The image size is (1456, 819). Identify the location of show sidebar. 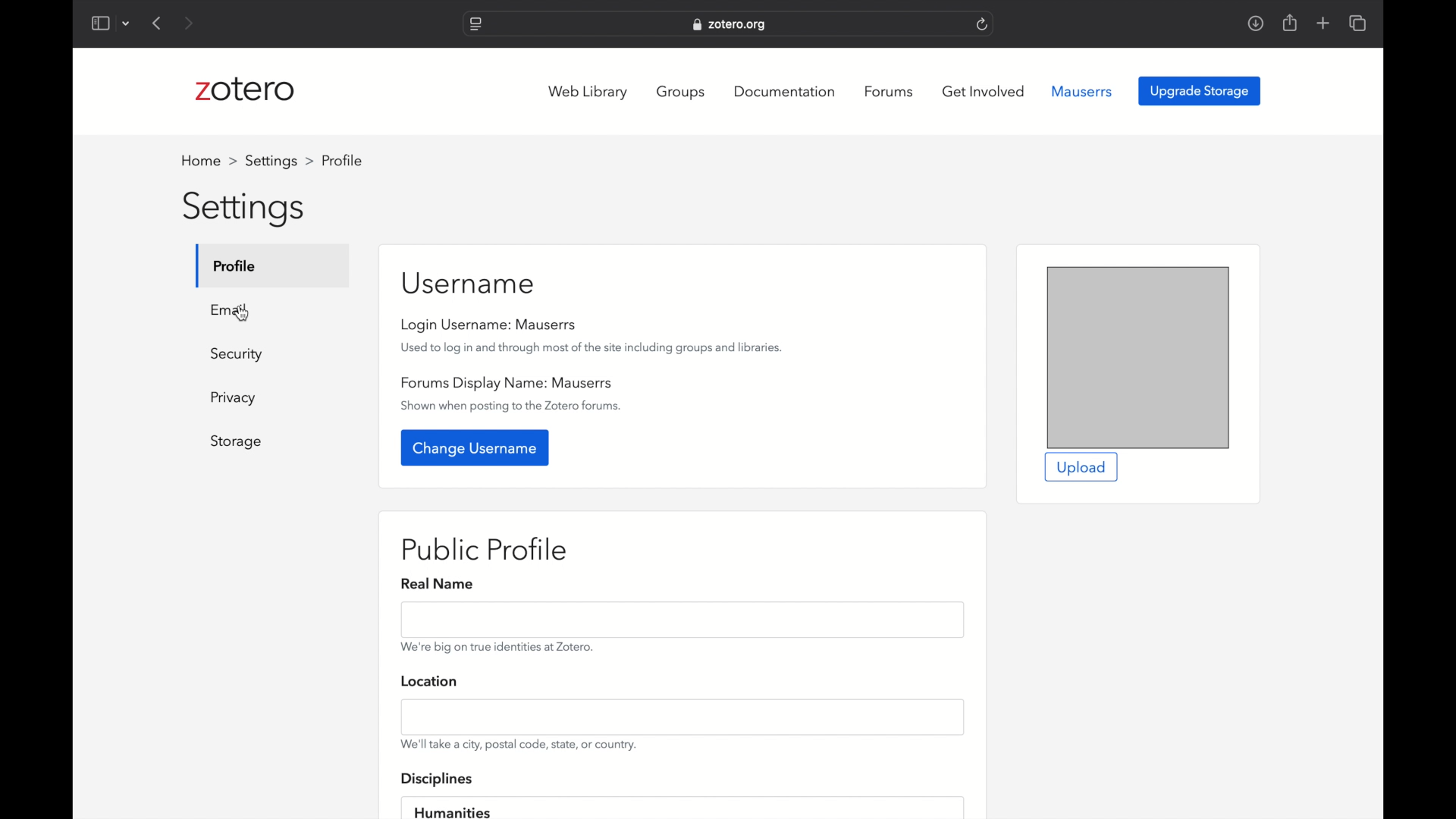
(99, 23).